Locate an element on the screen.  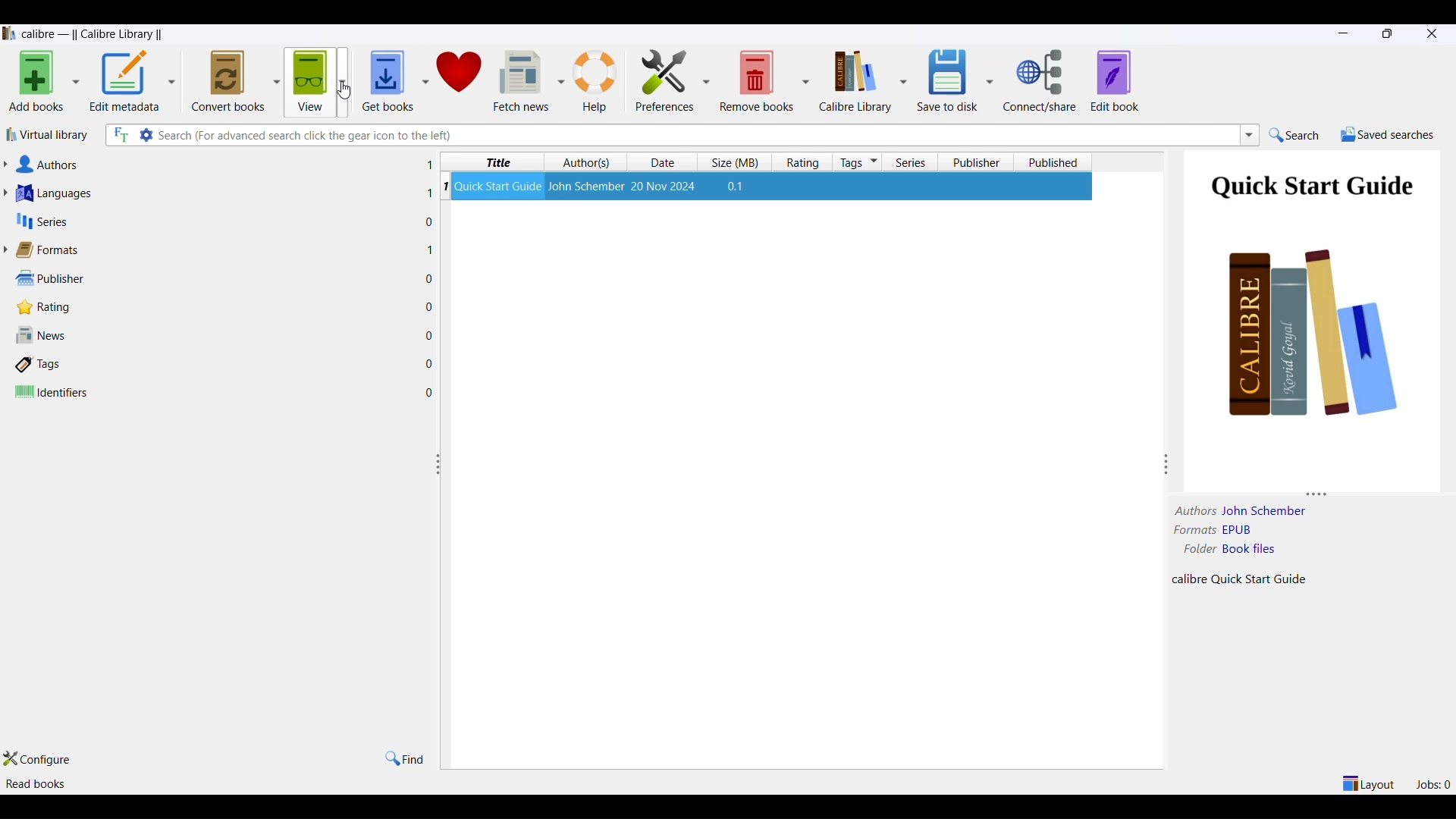
folder is located at coordinates (1195, 551).